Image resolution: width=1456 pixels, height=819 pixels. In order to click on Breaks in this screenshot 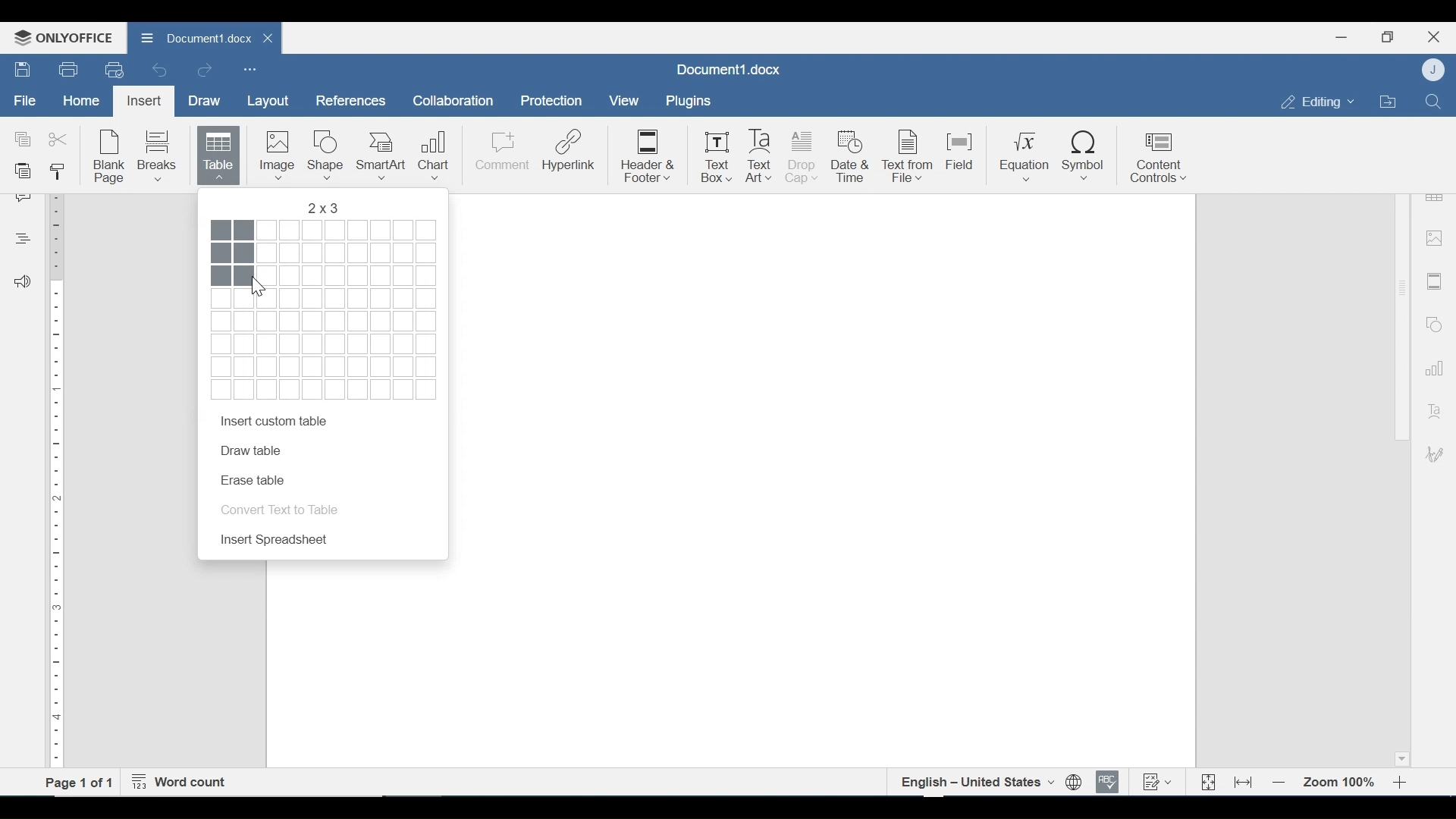, I will do `click(160, 155)`.